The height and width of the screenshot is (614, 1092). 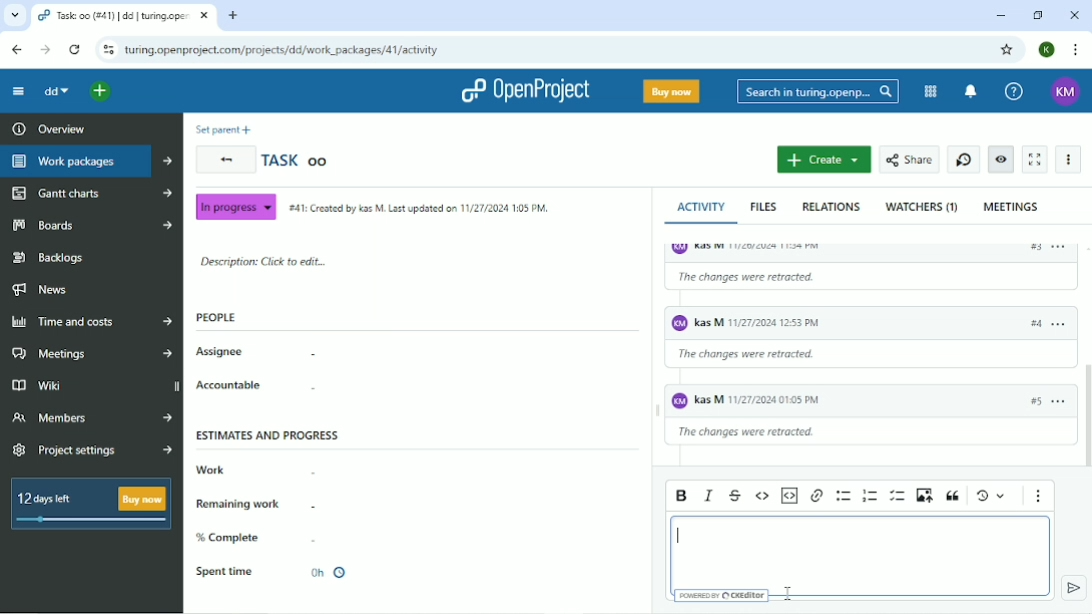 I want to click on options, so click(x=1056, y=404).